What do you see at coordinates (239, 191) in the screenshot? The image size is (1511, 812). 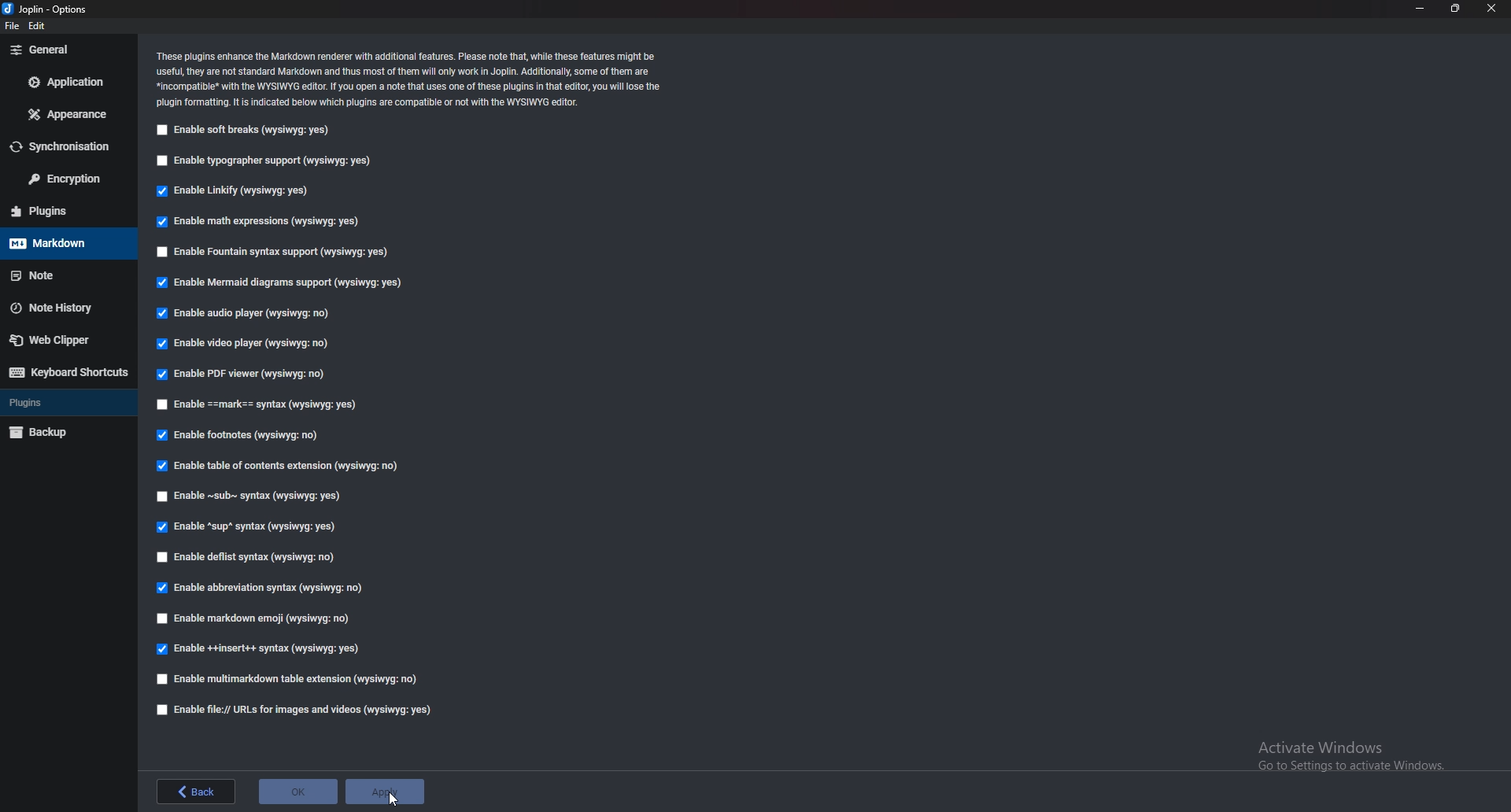 I see `Enable linkify` at bounding box center [239, 191].